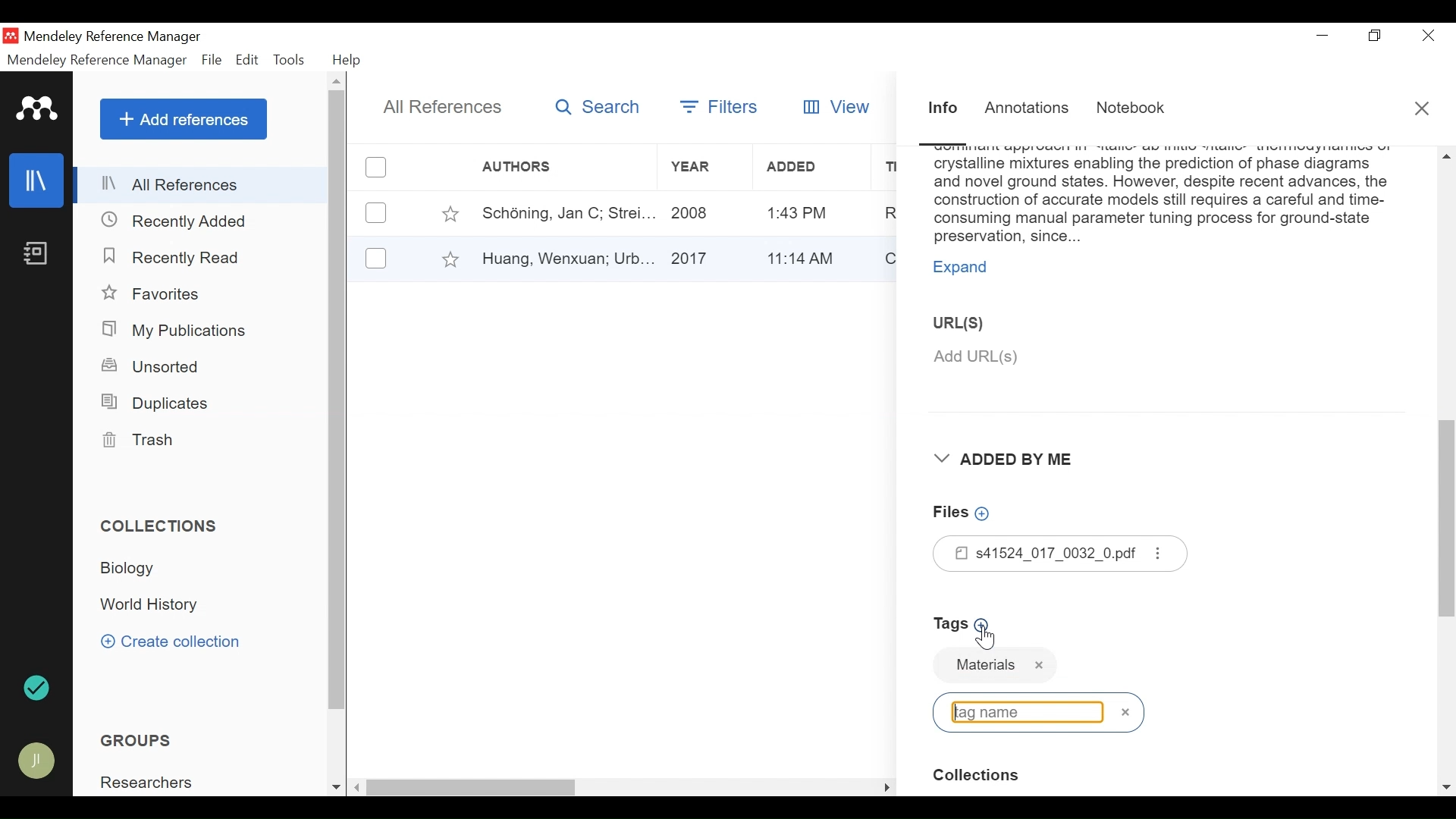 This screenshot has width=1456, height=819. Describe the element at coordinates (39, 109) in the screenshot. I see `Mendeley logo` at that location.